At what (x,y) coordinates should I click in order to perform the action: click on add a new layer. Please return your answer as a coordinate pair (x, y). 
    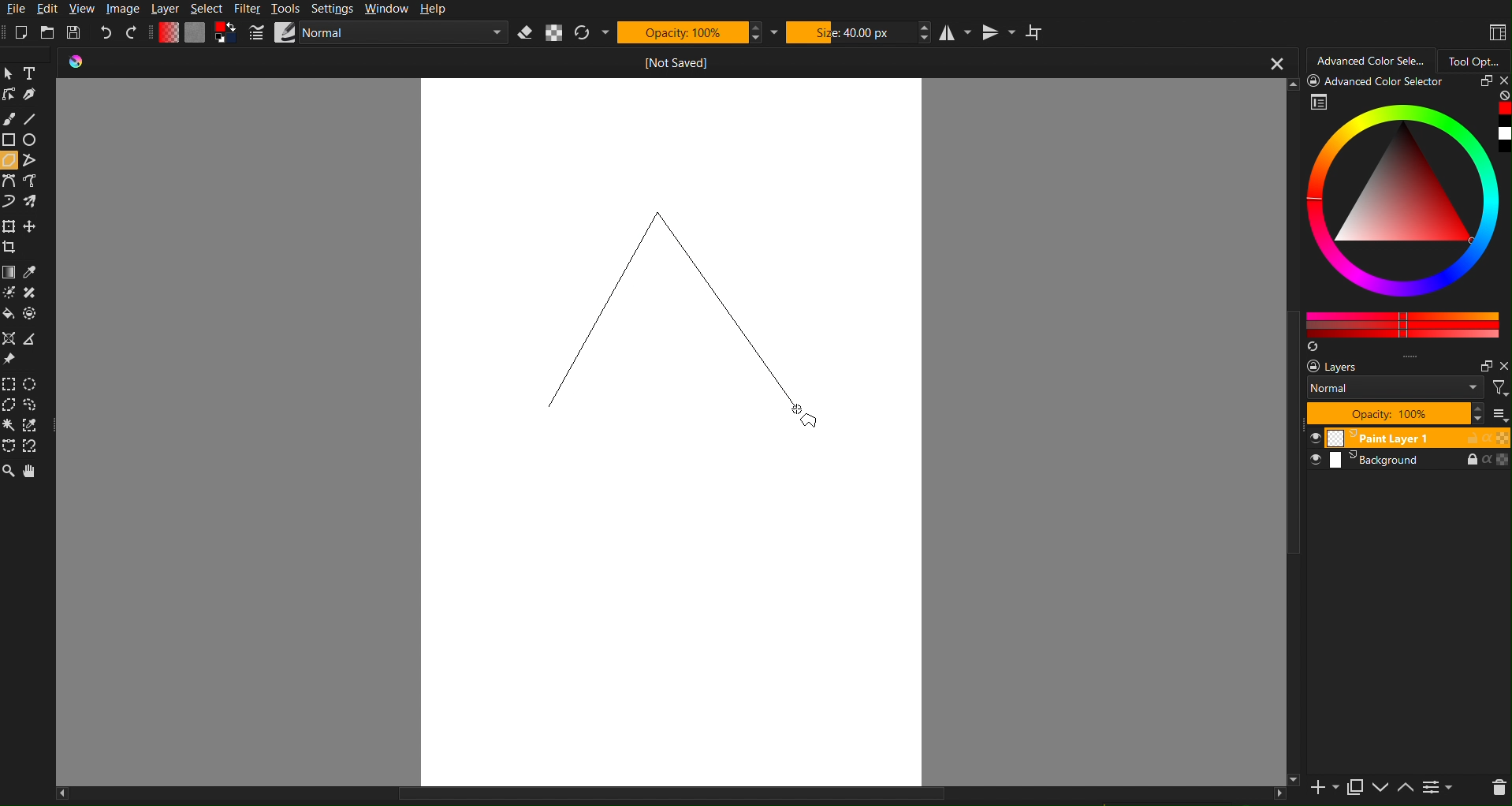
    Looking at the image, I should click on (1322, 789).